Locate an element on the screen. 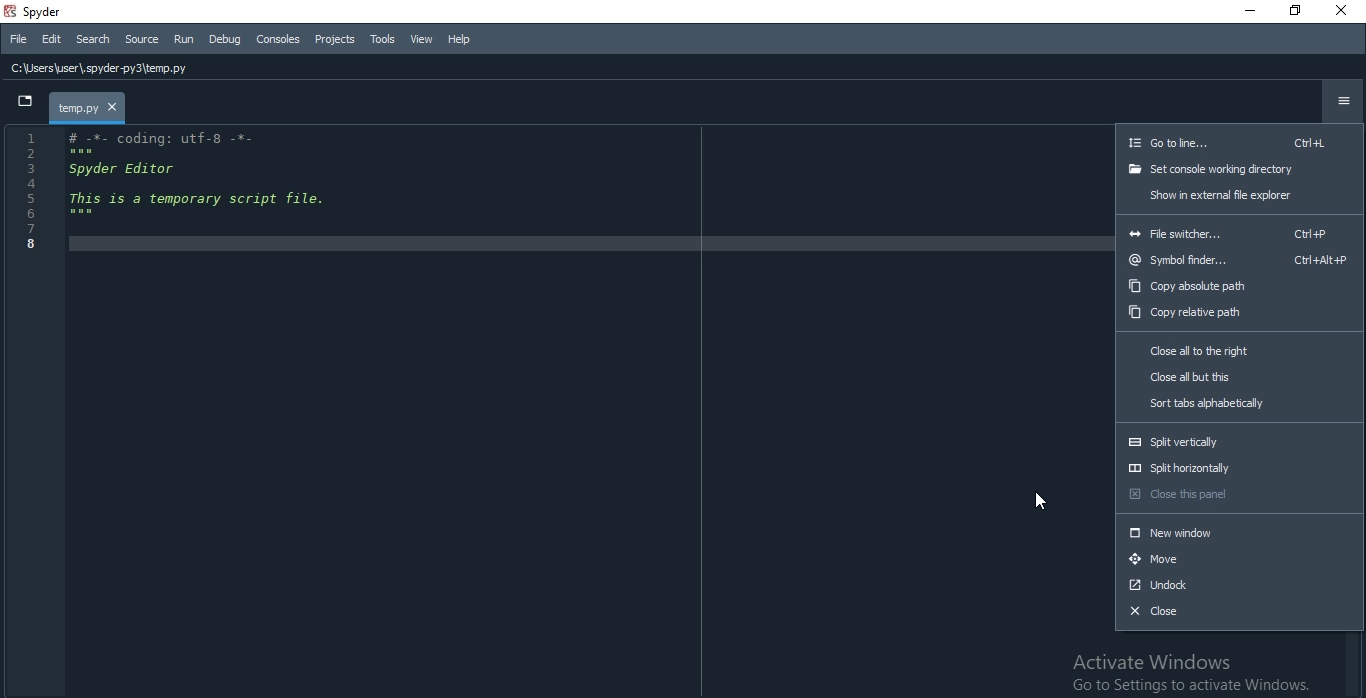 This screenshot has height=698, width=1366. file switcher is located at coordinates (1238, 231).